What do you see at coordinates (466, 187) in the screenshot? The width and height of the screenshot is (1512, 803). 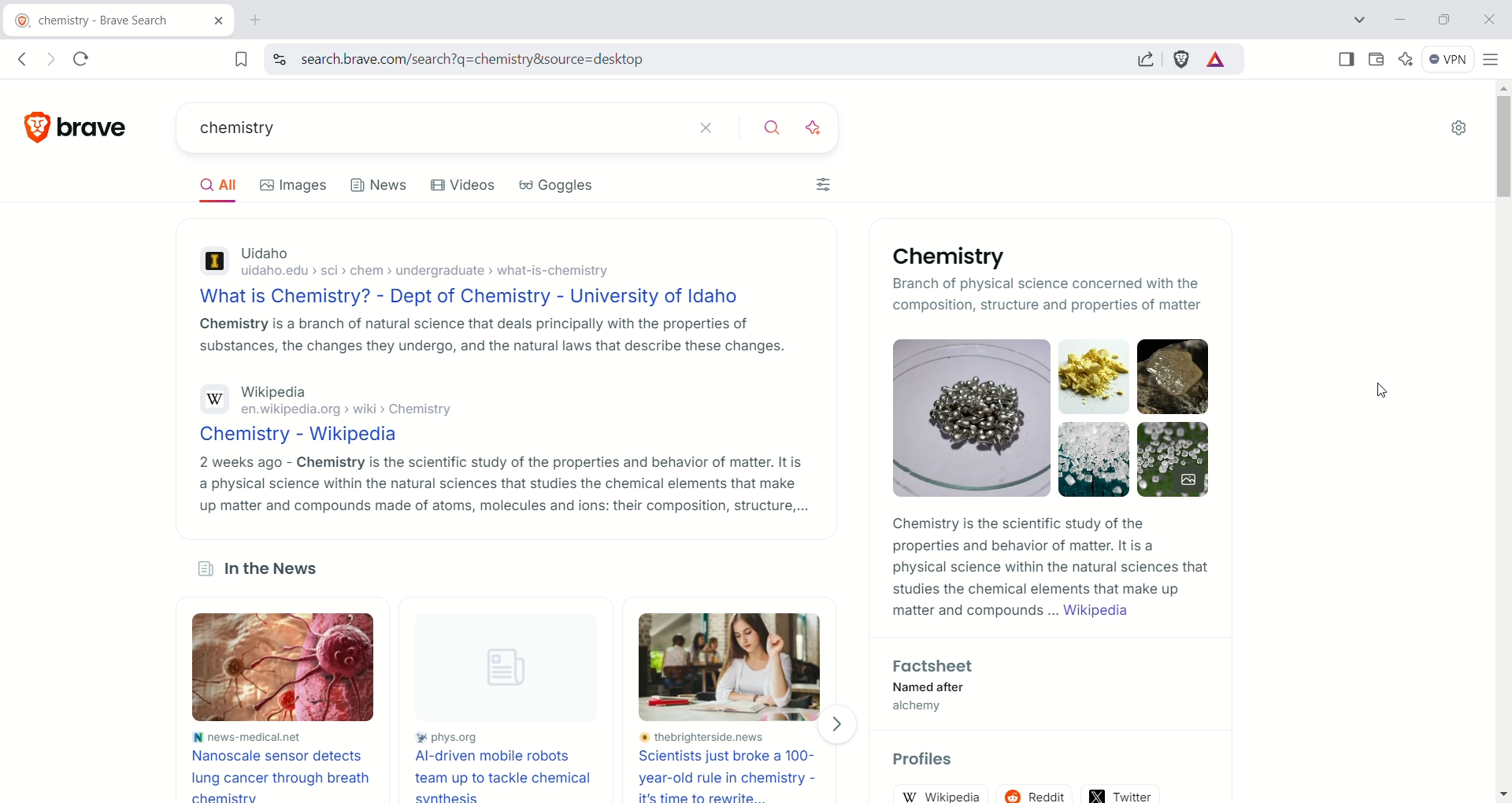 I see `Videos` at bounding box center [466, 187].